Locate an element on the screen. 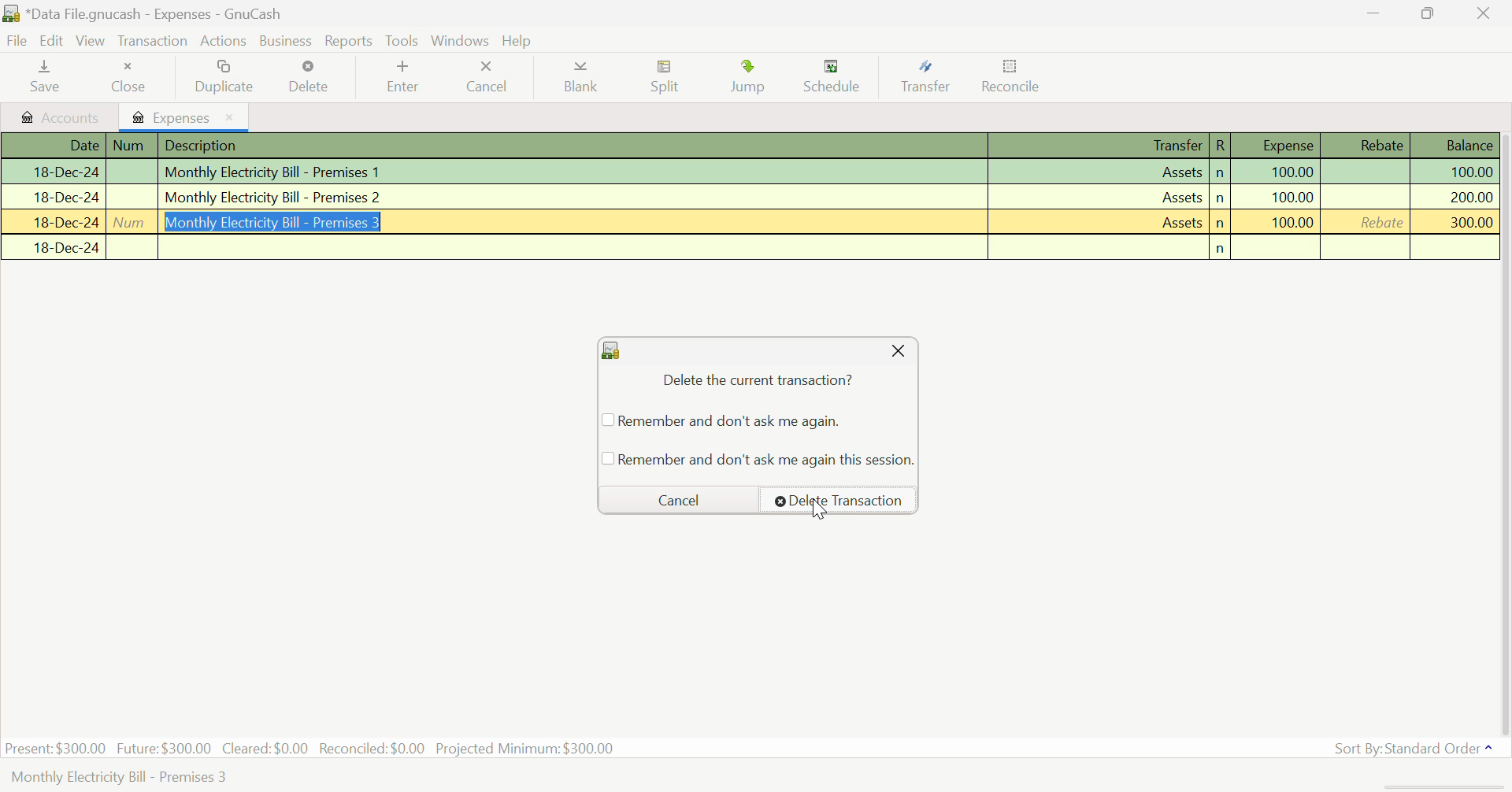  Sort By: Standard Order is located at coordinates (1411, 747).